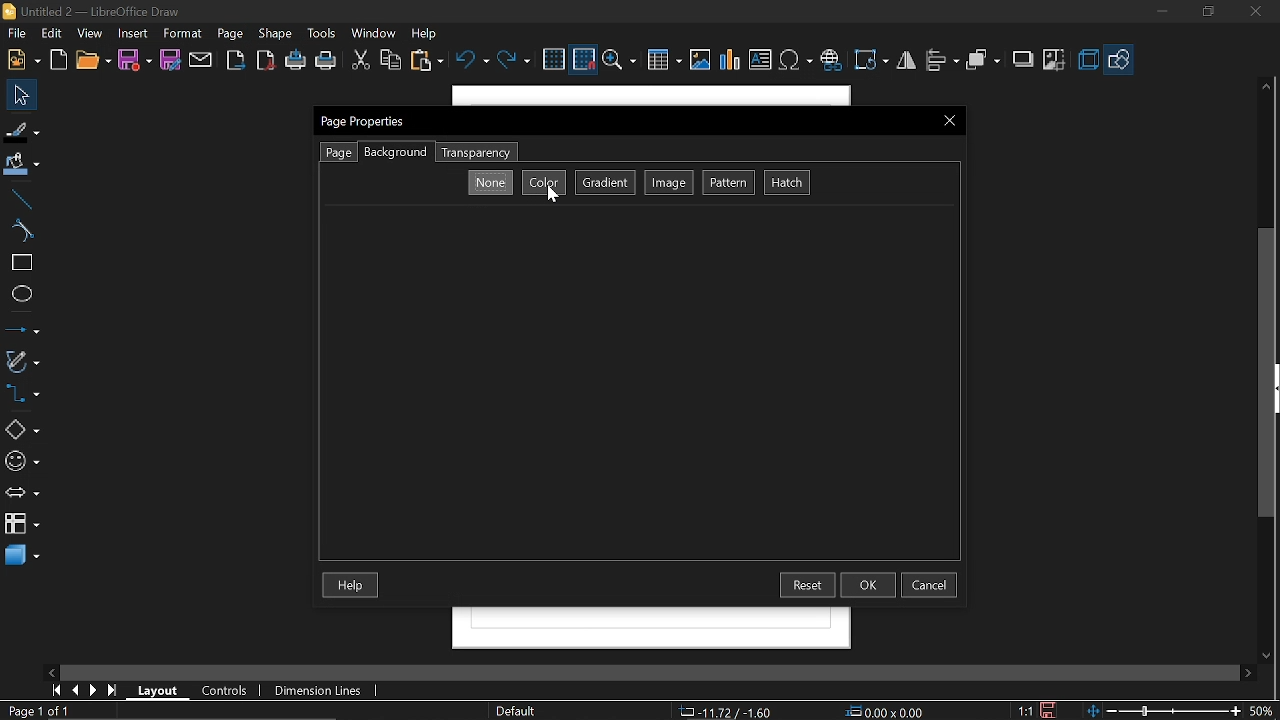  Describe the element at coordinates (807, 584) in the screenshot. I see `Reset` at that location.